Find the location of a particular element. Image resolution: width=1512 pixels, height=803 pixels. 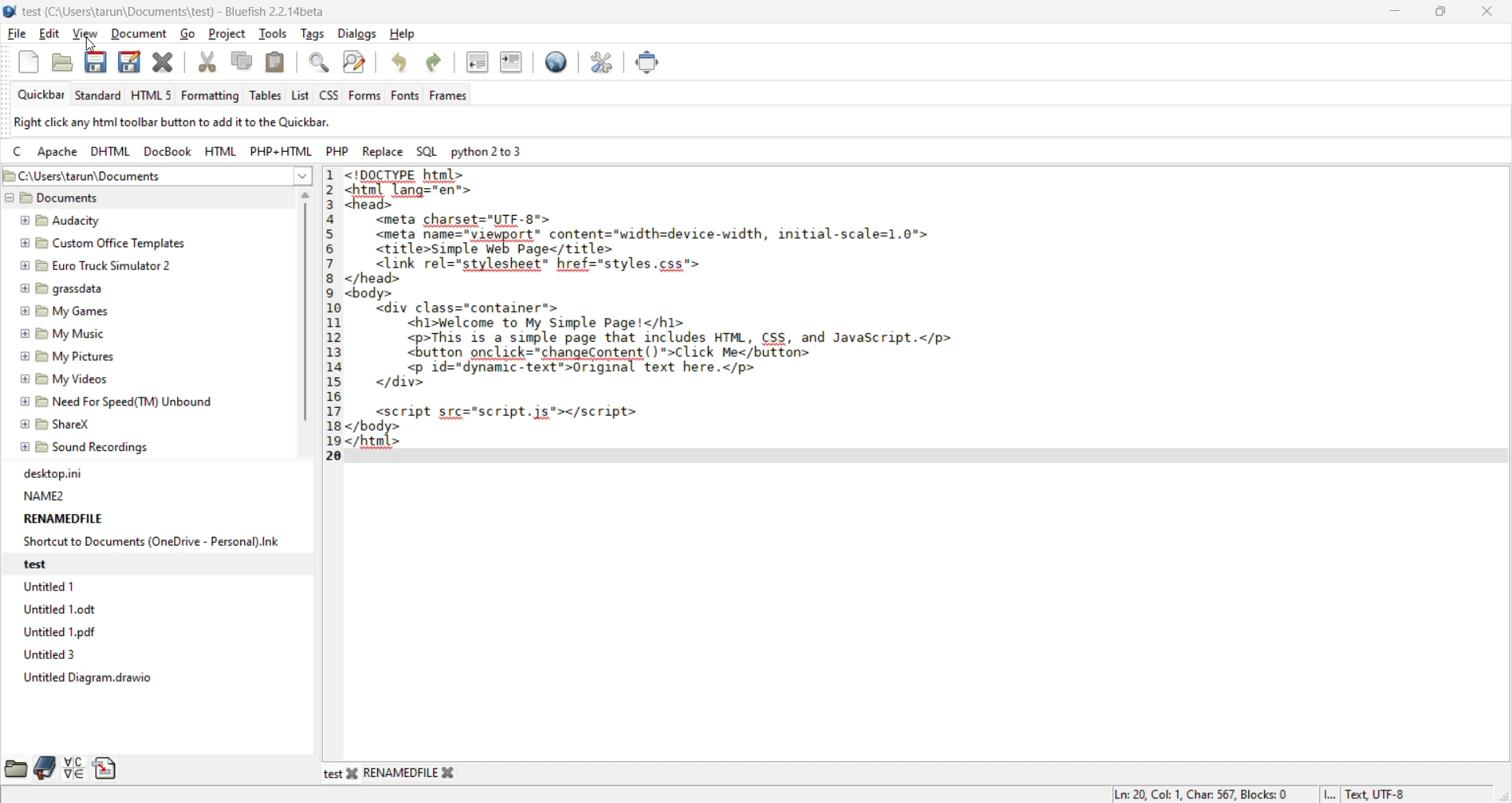

new is located at coordinates (31, 61).